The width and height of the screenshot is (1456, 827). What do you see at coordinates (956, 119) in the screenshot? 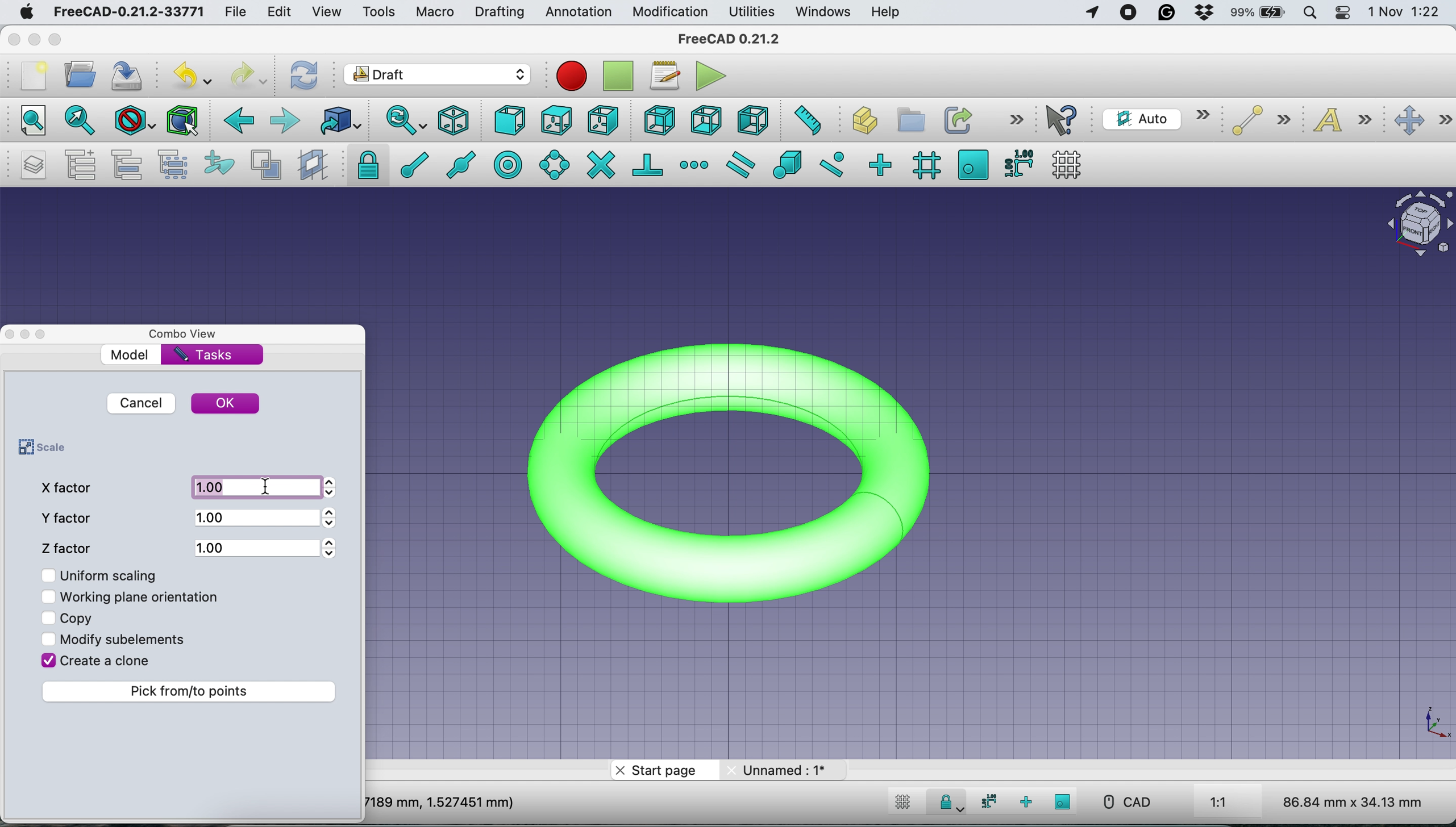
I see `make link` at bounding box center [956, 119].